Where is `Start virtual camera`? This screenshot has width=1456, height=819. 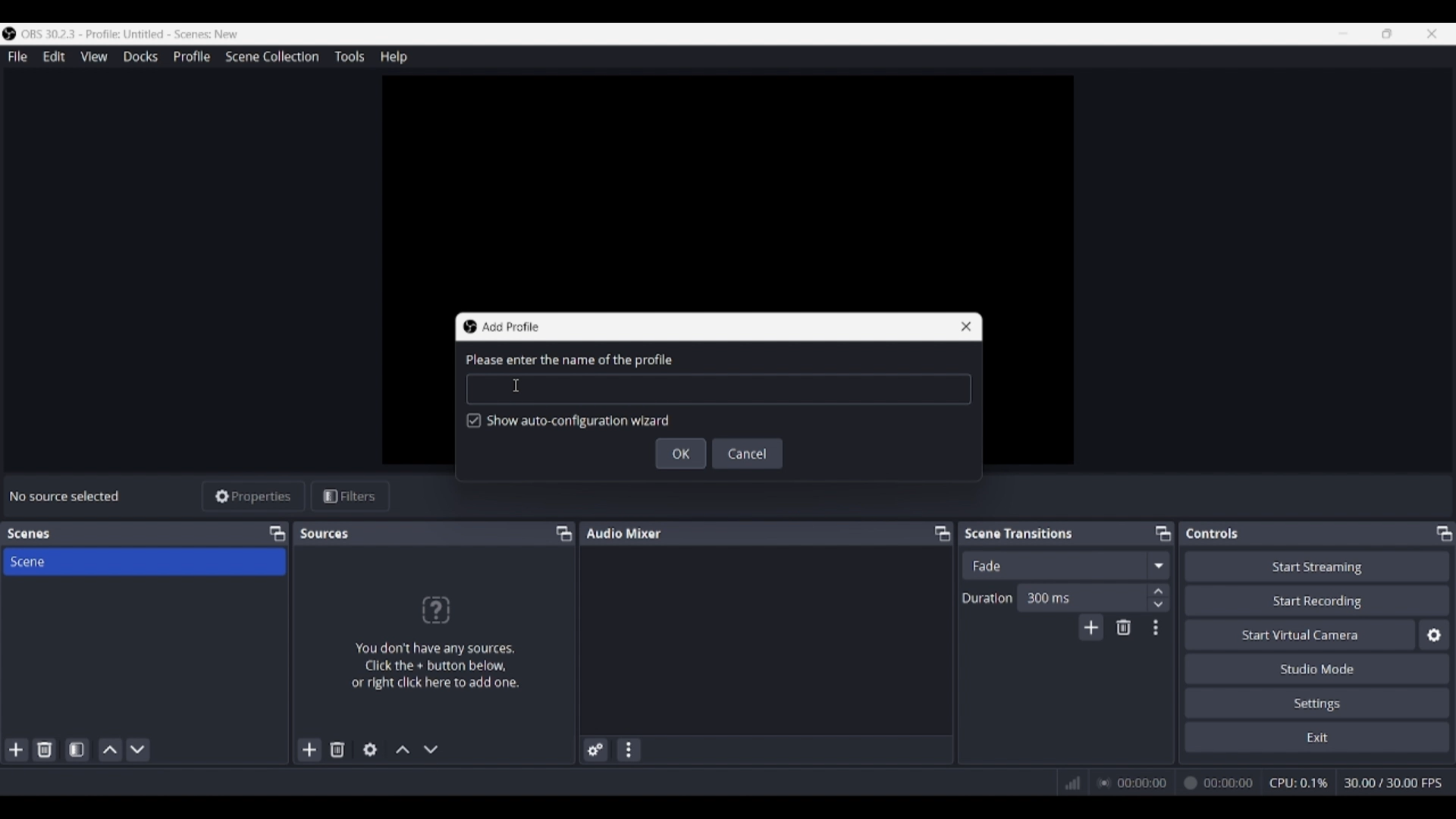 Start virtual camera is located at coordinates (1300, 634).